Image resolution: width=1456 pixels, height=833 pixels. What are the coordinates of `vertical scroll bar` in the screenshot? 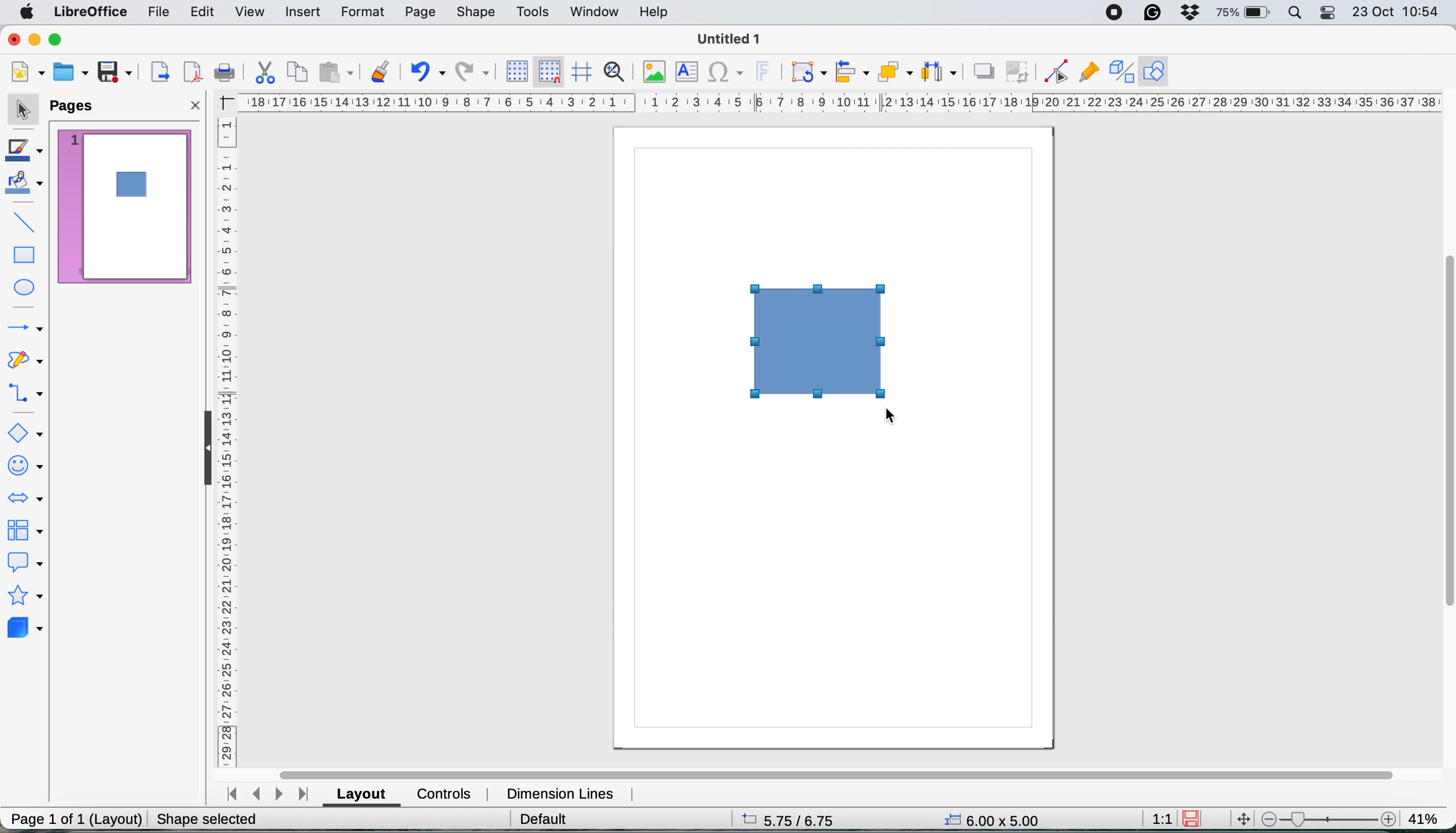 It's located at (1445, 433).